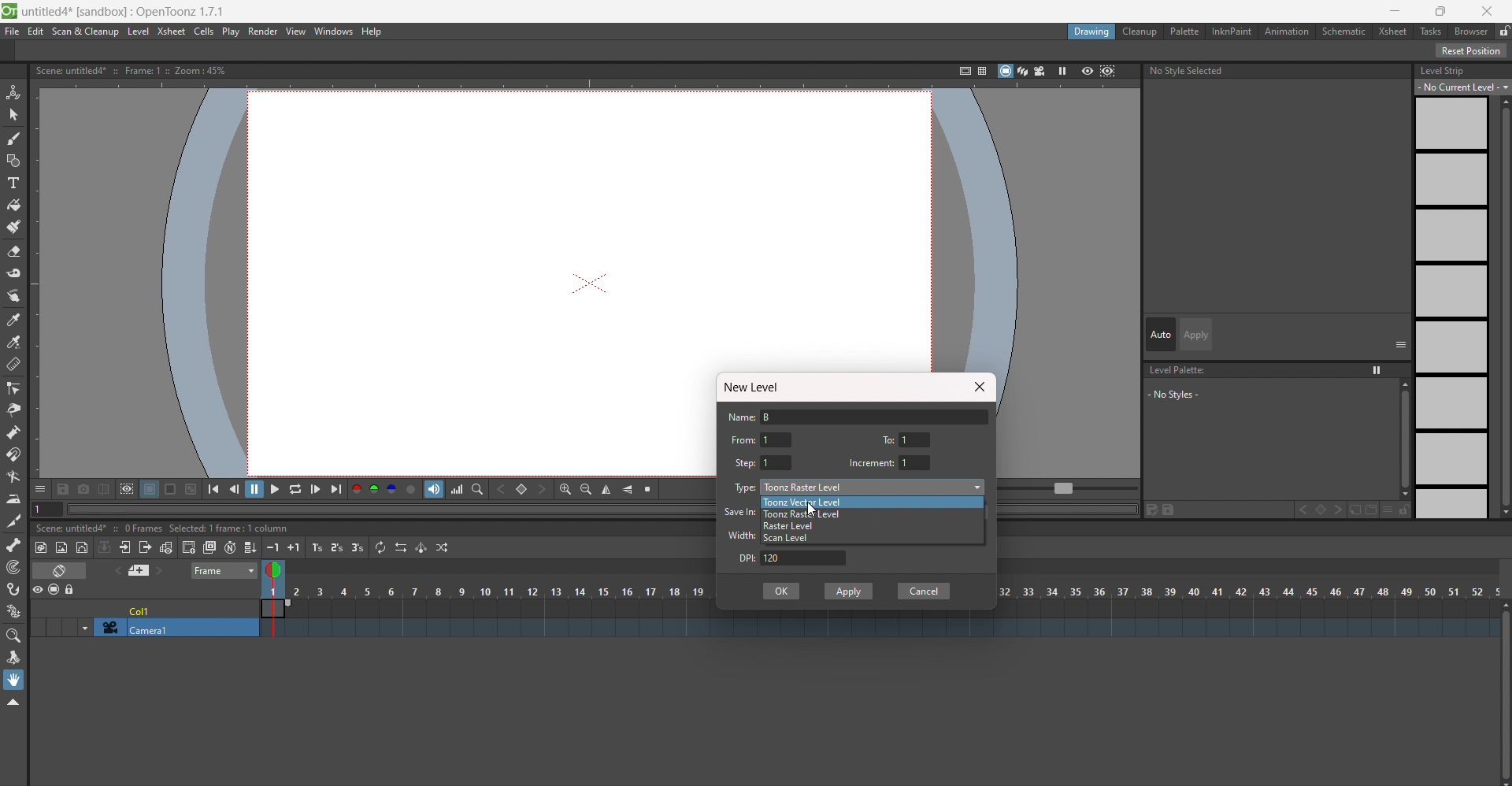 The height and width of the screenshot is (786, 1512). Describe the element at coordinates (1378, 370) in the screenshot. I see `option` at that location.